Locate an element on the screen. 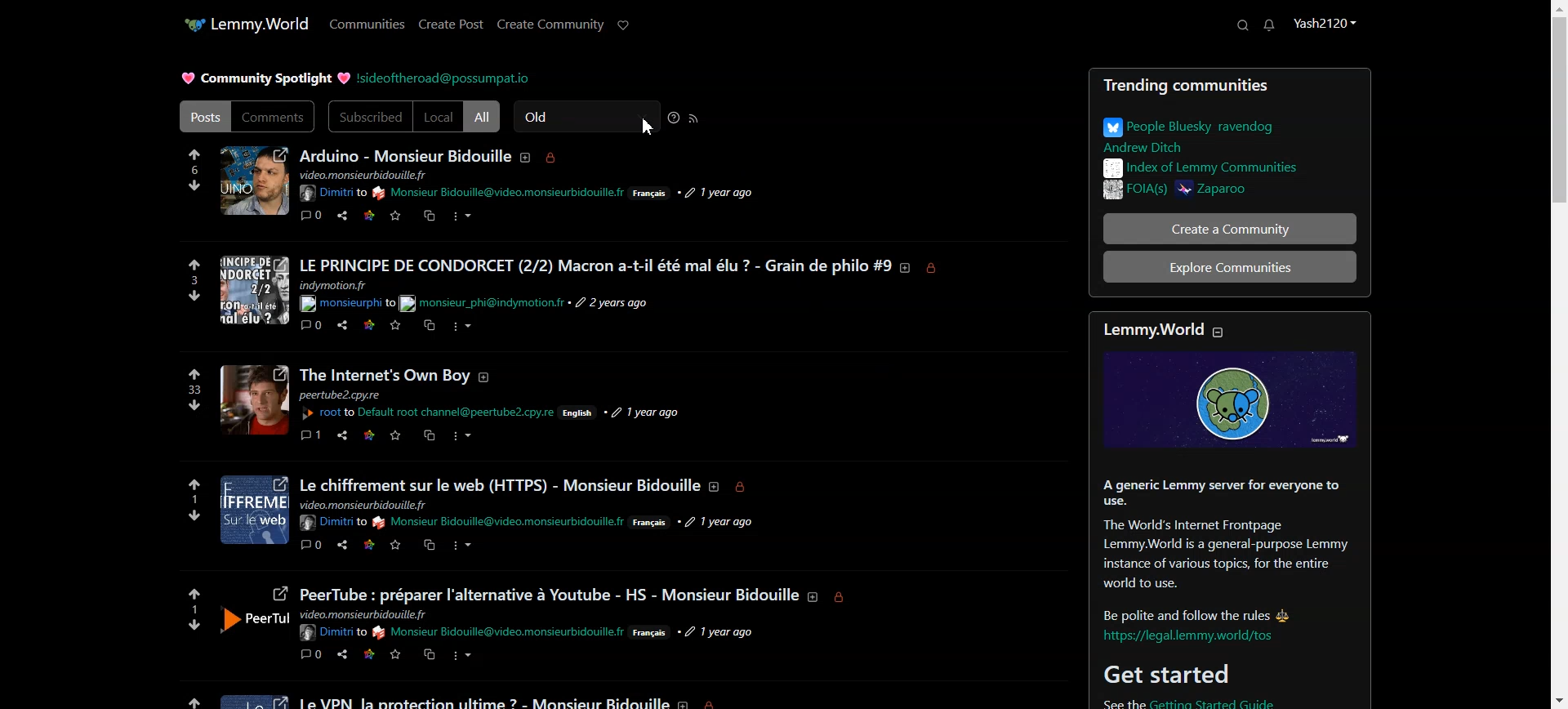 The height and width of the screenshot is (709, 1568). upvote is located at coordinates (184, 698).